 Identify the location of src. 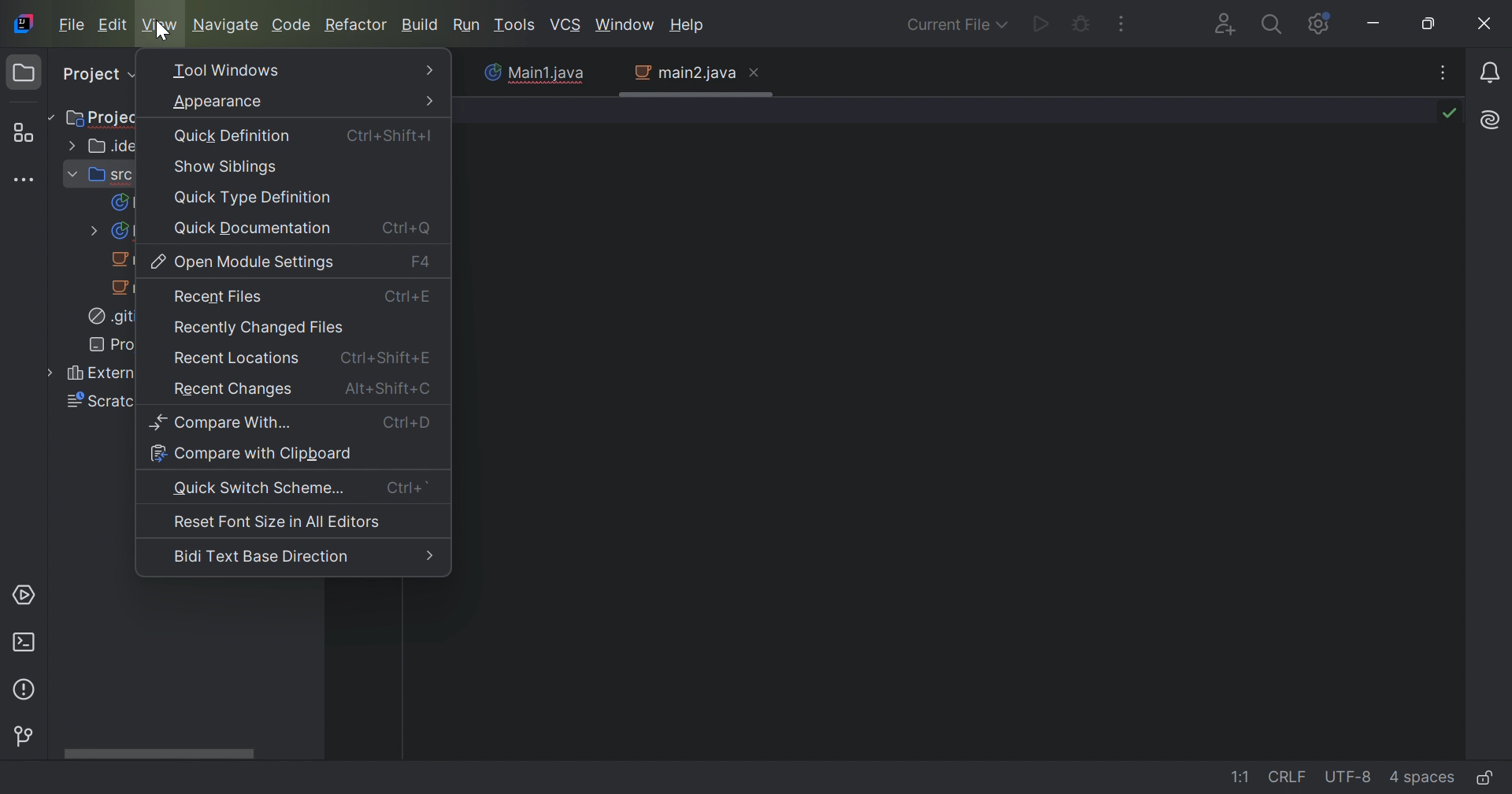
(99, 176).